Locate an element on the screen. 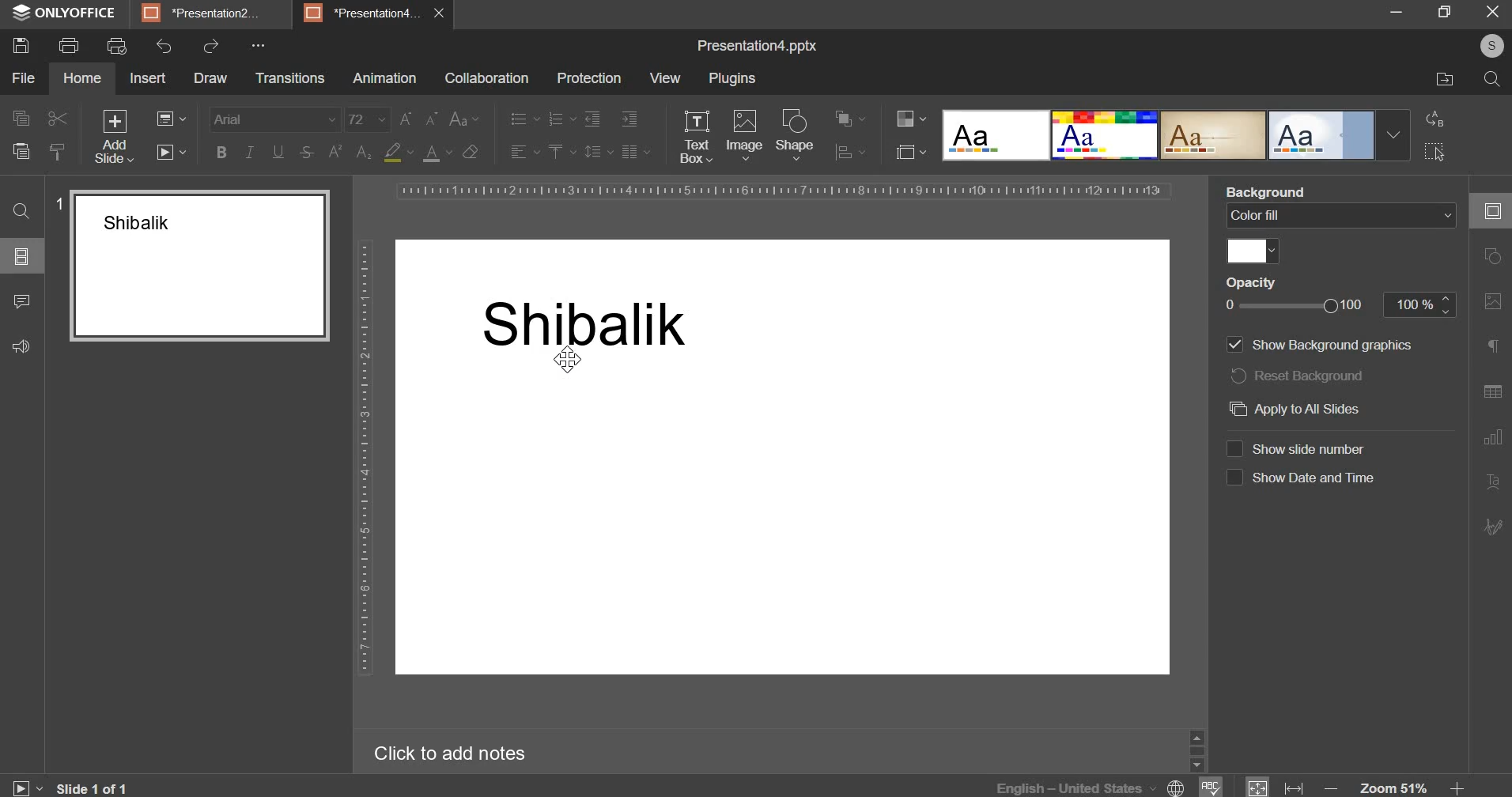  reset background is located at coordinates (1297, 376).